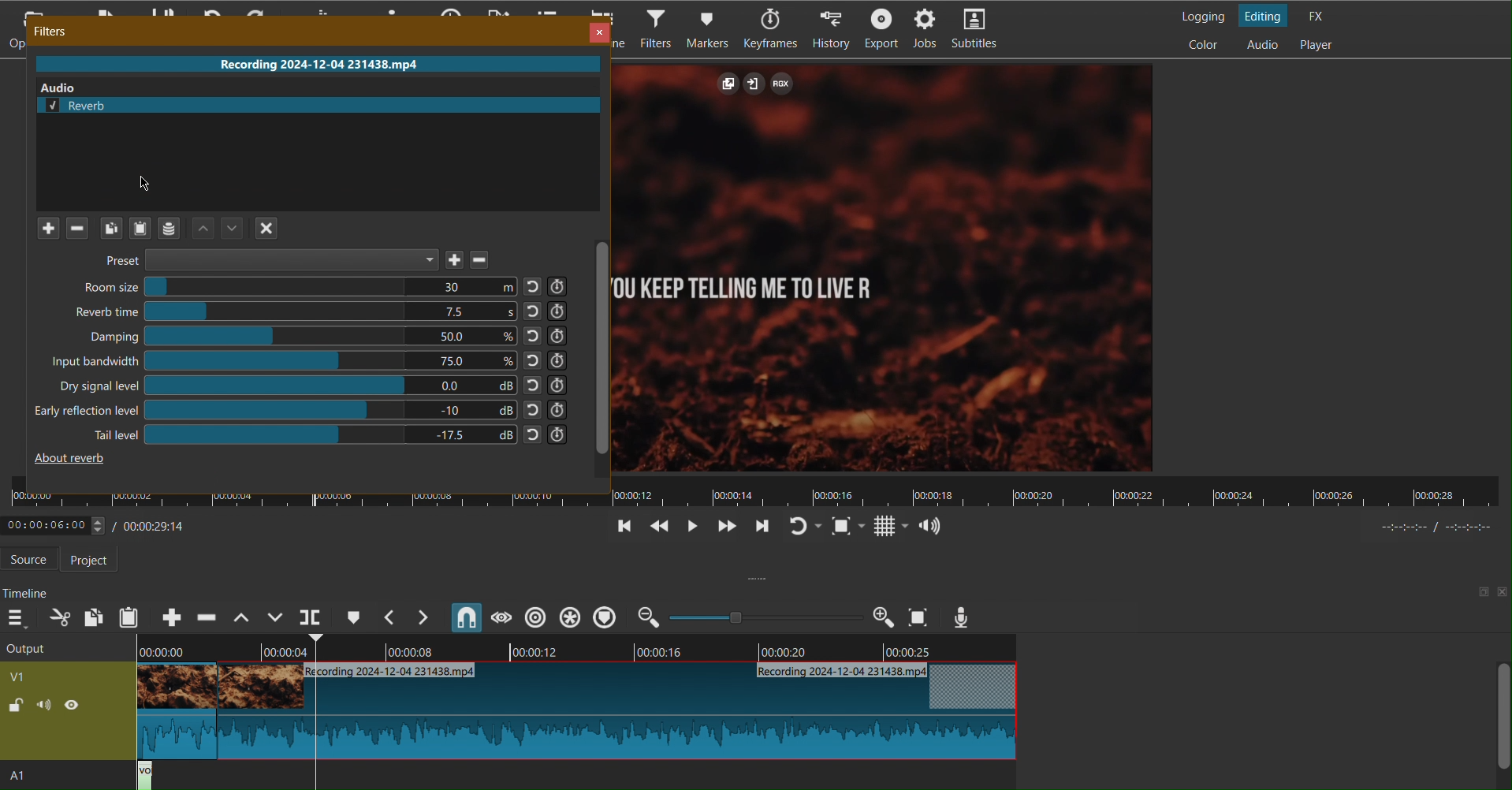  What do you see at coordinates (1261, 45) in the screenshot?
I see `Audio` at bounding box center [1261, 45].